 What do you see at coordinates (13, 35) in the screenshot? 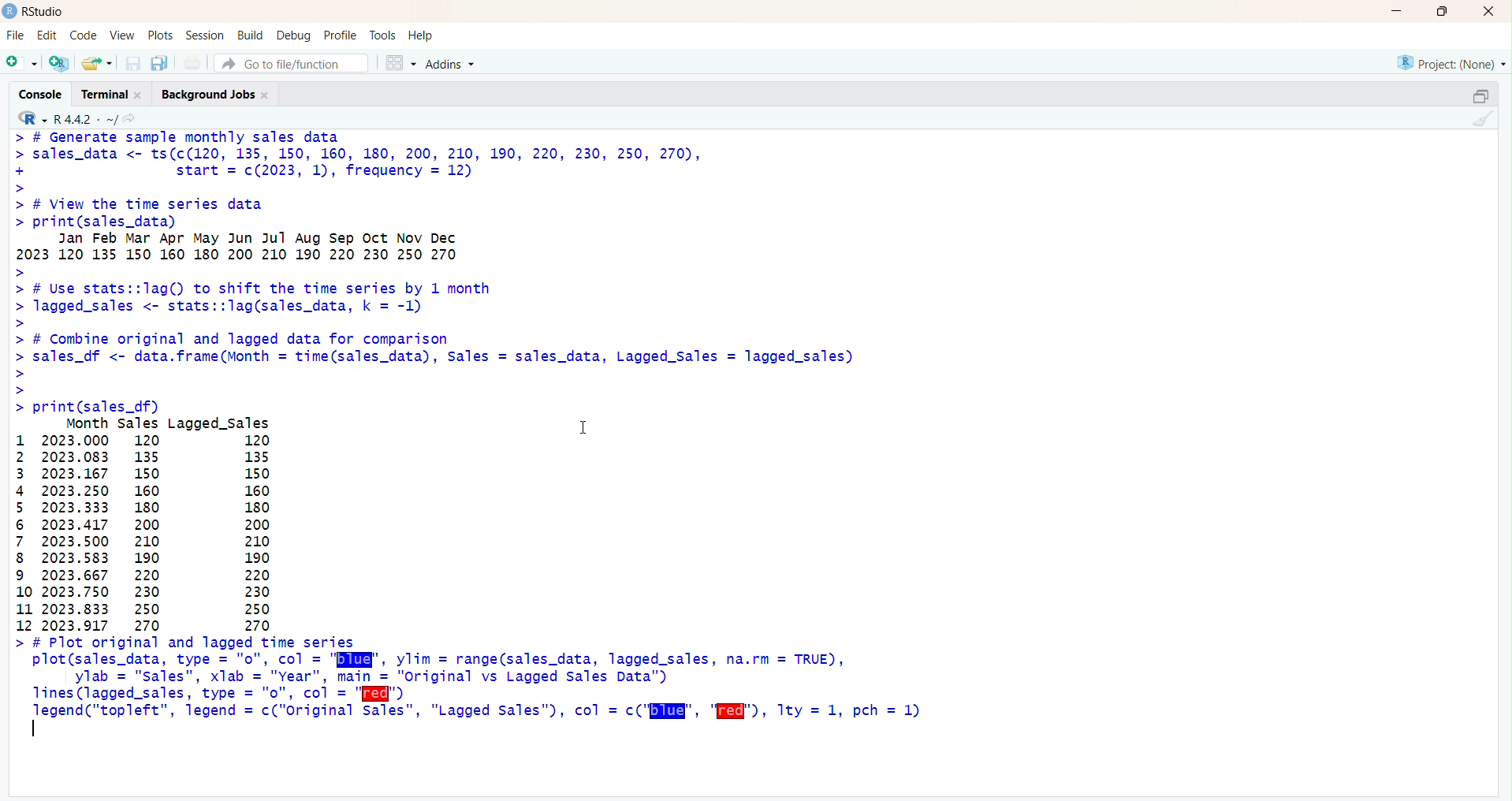
I see `file` at bounding box center [13, 35].